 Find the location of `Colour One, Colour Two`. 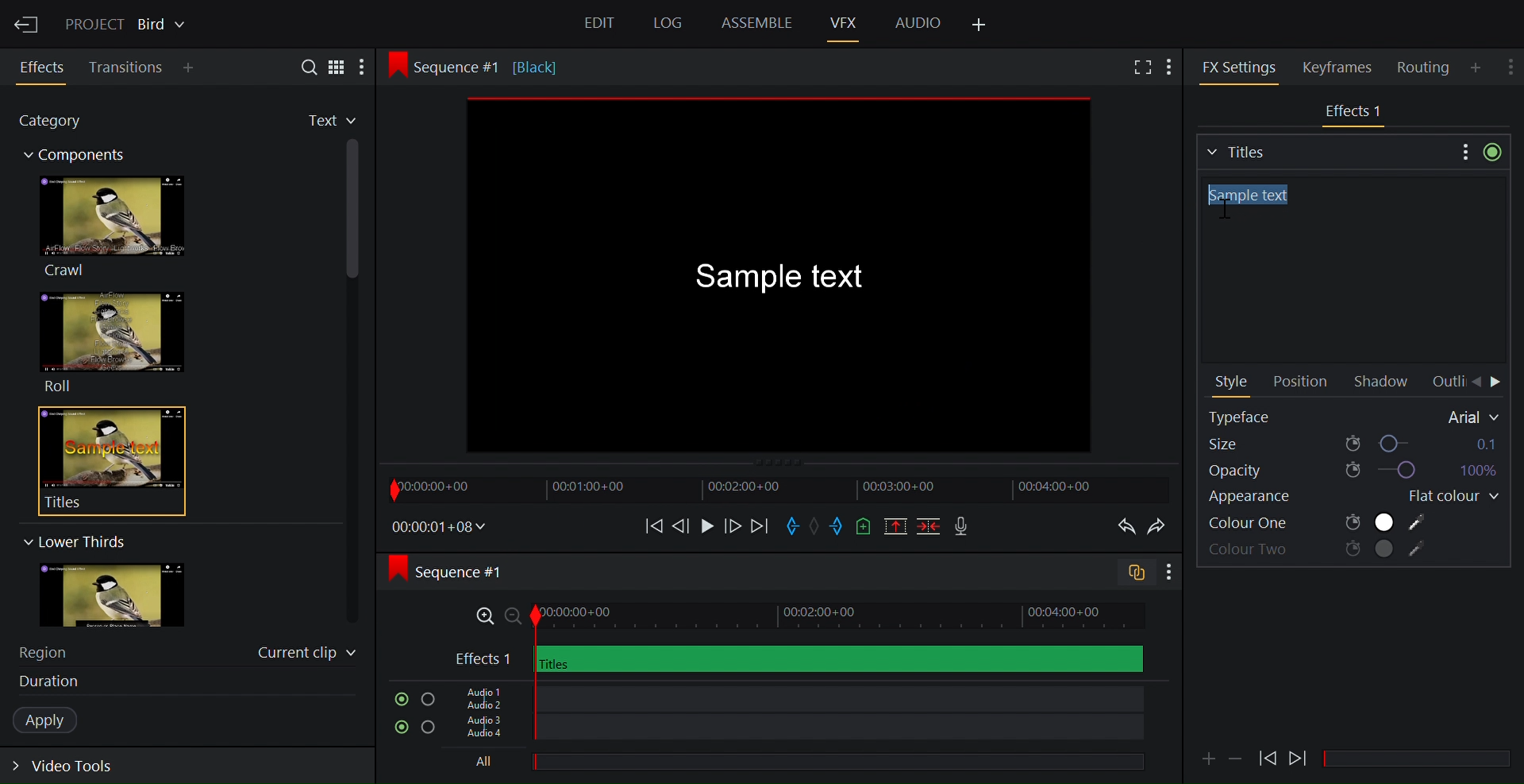

Colour One, Colour Two is located at coordinates (1318, 523).